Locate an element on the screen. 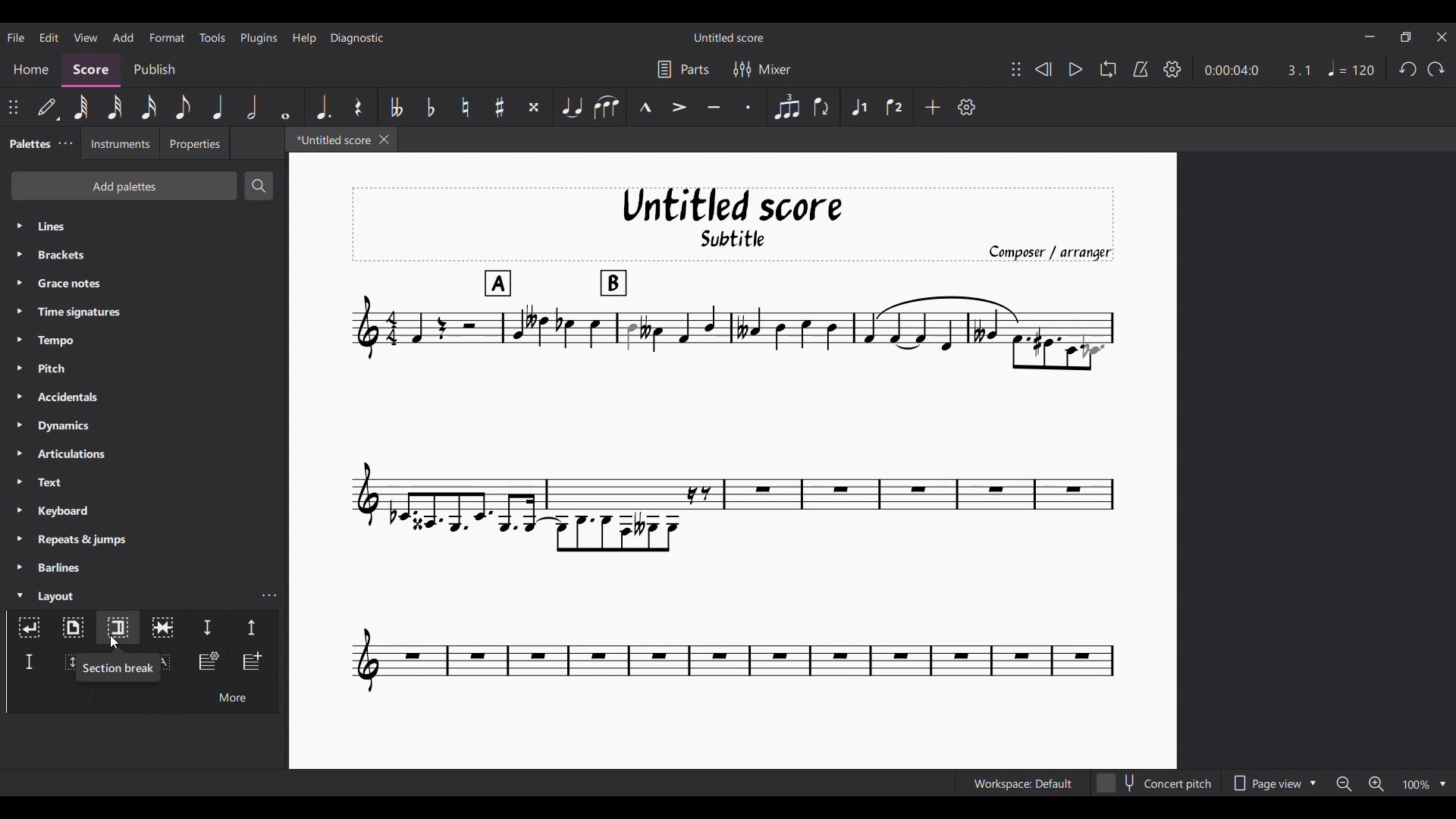  Insert text frame is located at coordinates (171, 661).